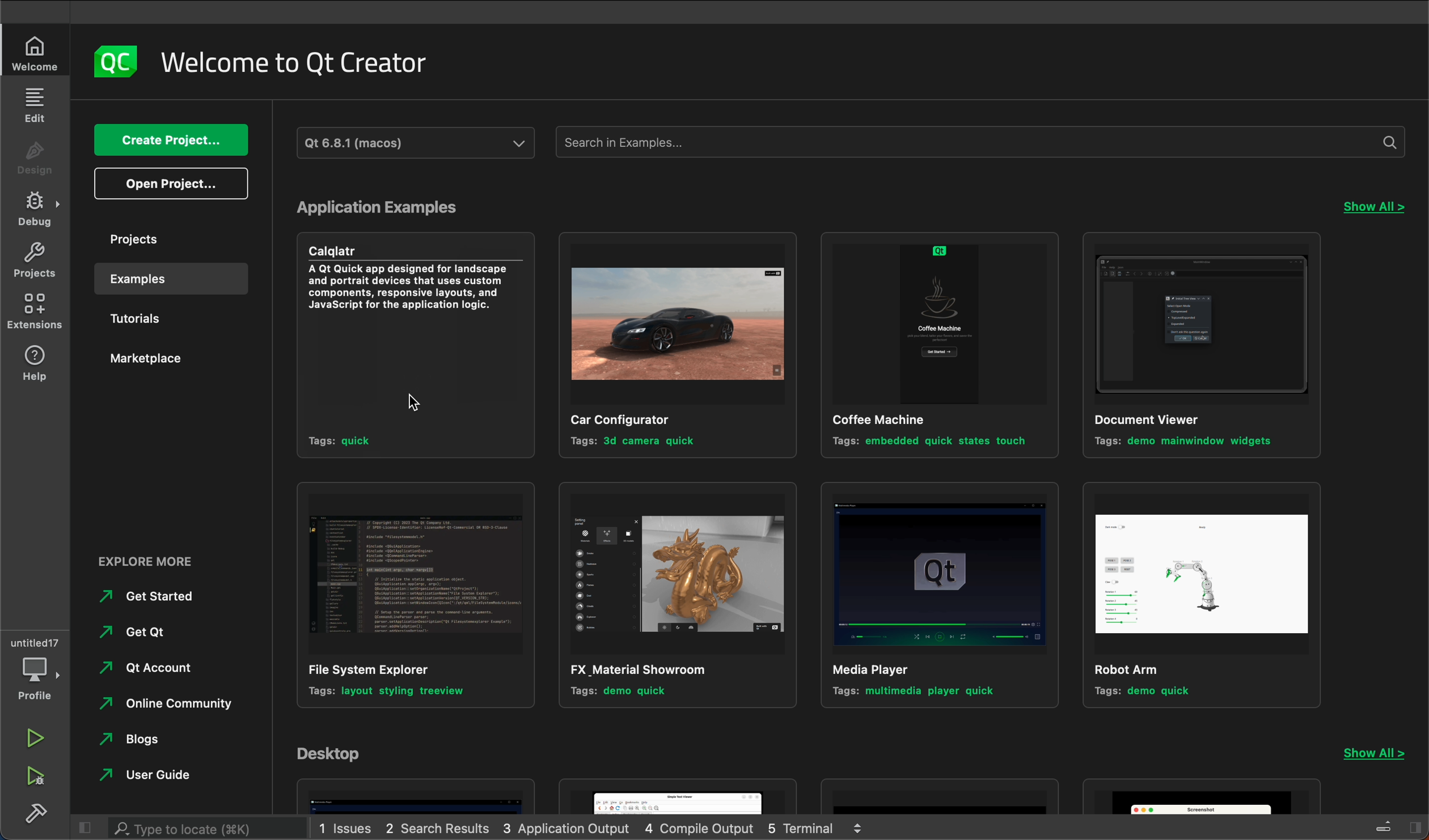  Describe the element at coordinates (1393, 825) in the screenshot. I see `close sidebar` at that location.